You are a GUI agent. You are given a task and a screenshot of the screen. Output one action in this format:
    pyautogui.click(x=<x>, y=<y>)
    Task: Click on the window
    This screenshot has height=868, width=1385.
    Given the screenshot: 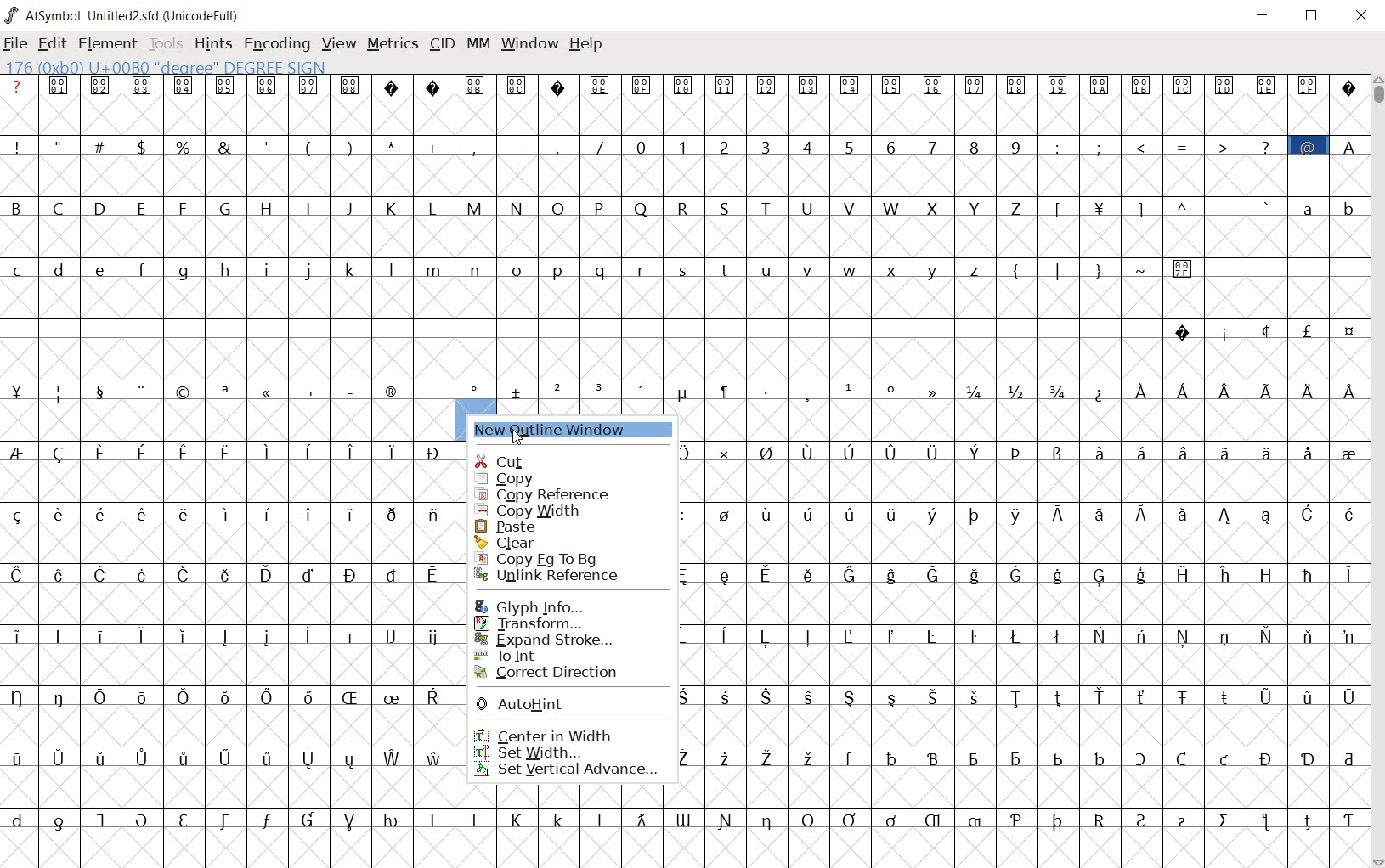 What is the action you would take?
    pyautogui.click(x=531, y=42)
    